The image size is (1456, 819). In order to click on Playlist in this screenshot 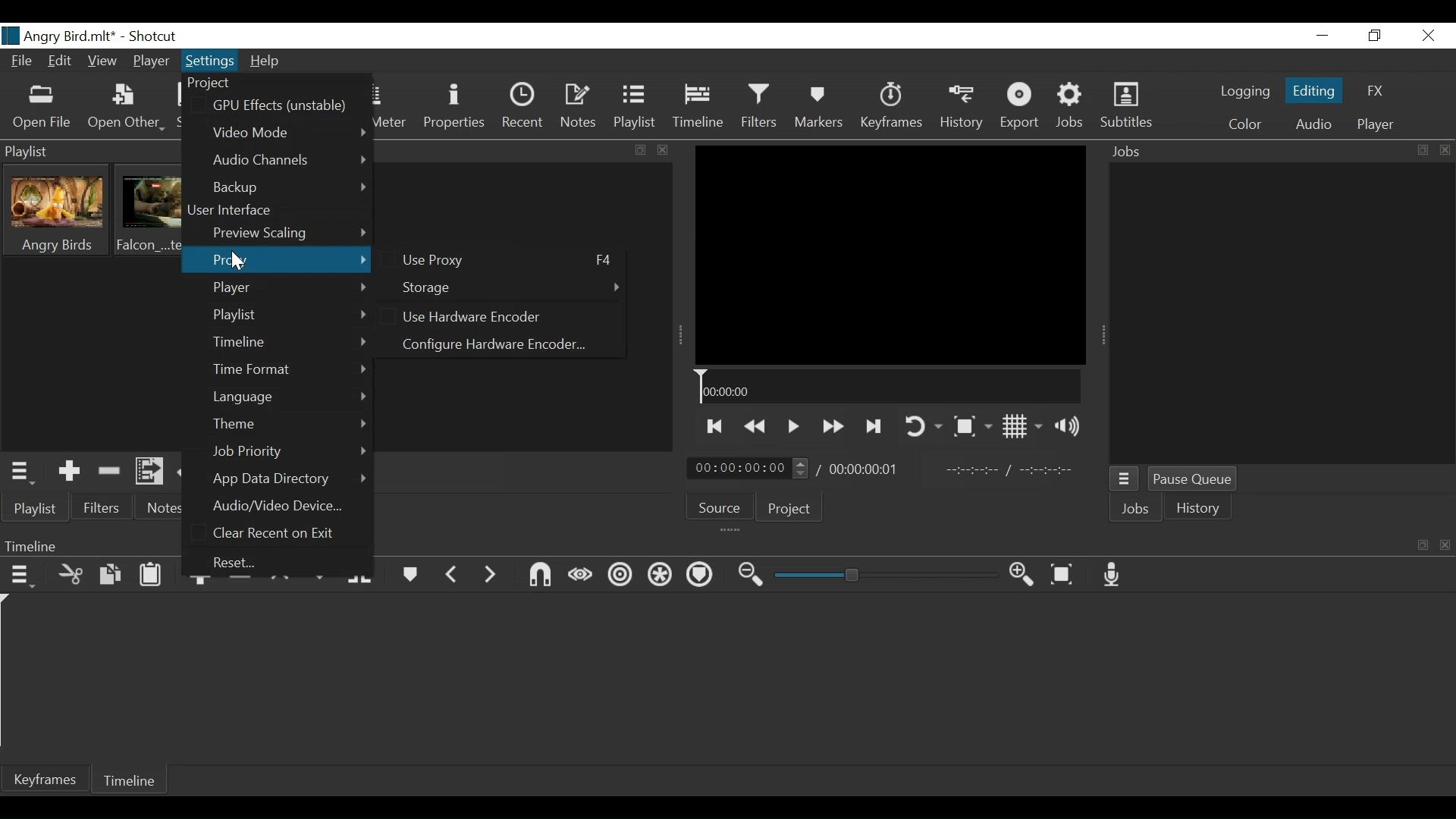, I will do `click(290, 313)`.